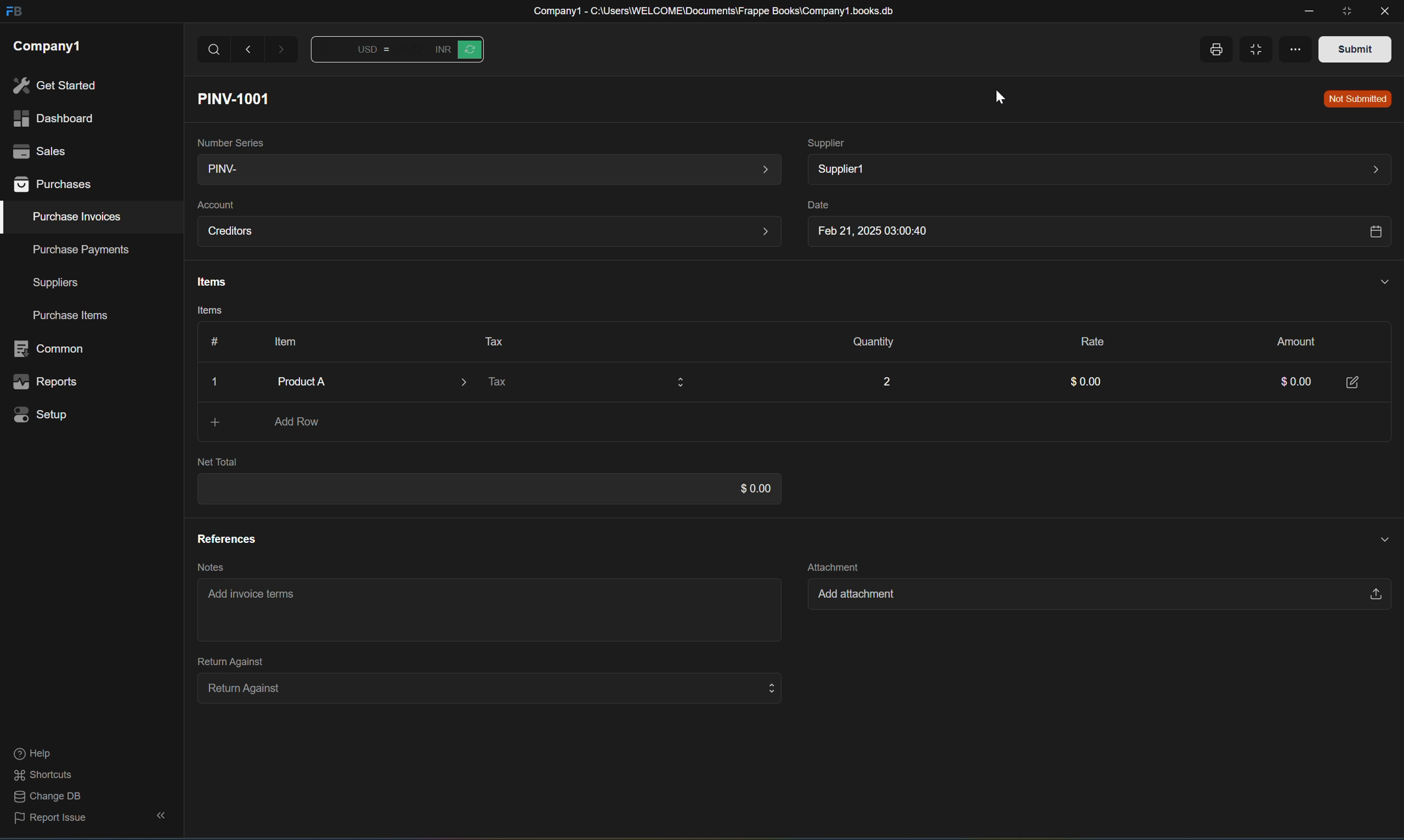 The image size is (1404, 840). What do you see at coordinates (48, 46) in the screenshot?
I see `Company1` at bounding box center [48, 46].